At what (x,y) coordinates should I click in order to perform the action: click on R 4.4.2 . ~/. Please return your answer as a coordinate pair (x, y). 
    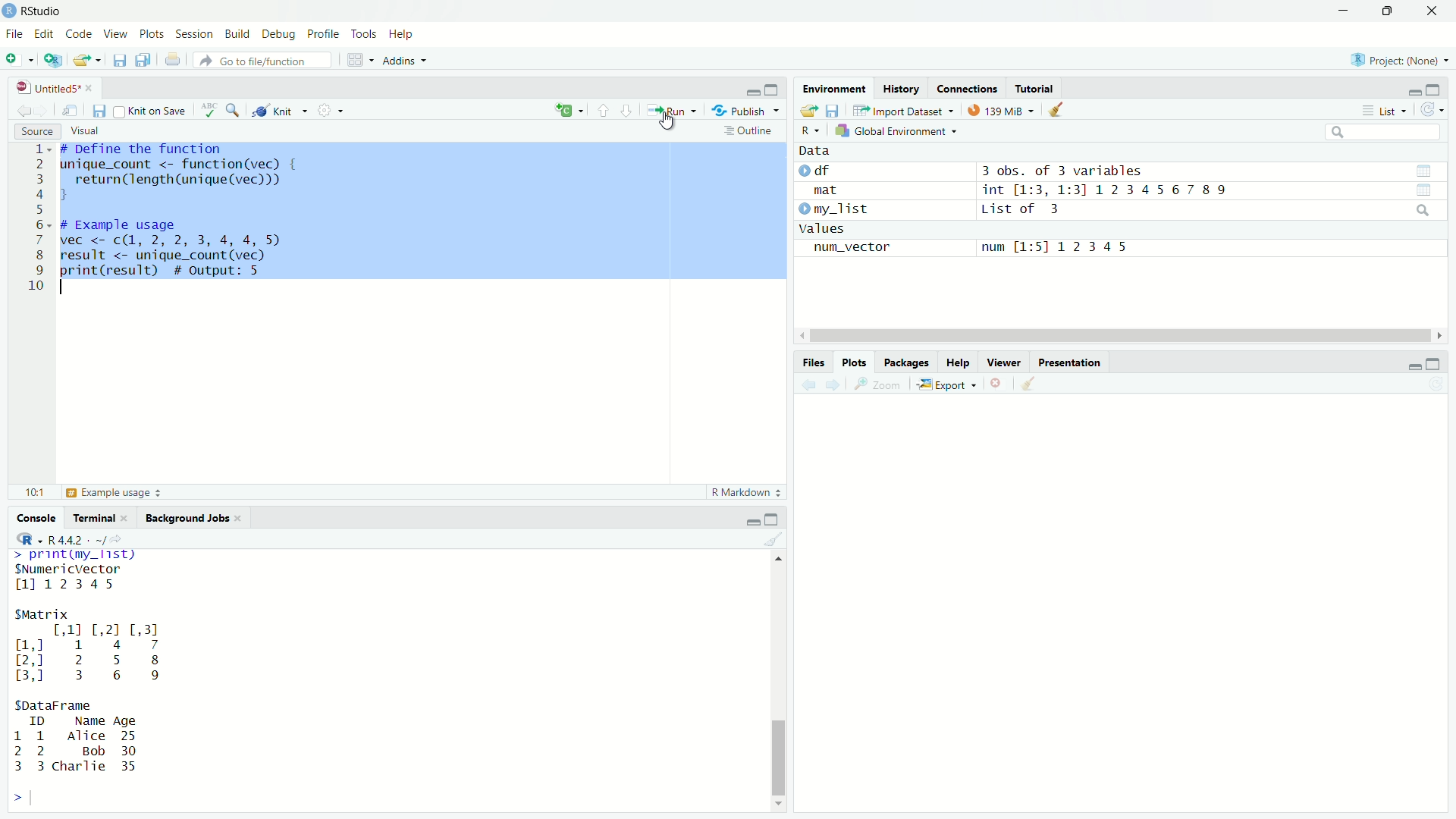
    Looking at the image, I should click on (80, 539).